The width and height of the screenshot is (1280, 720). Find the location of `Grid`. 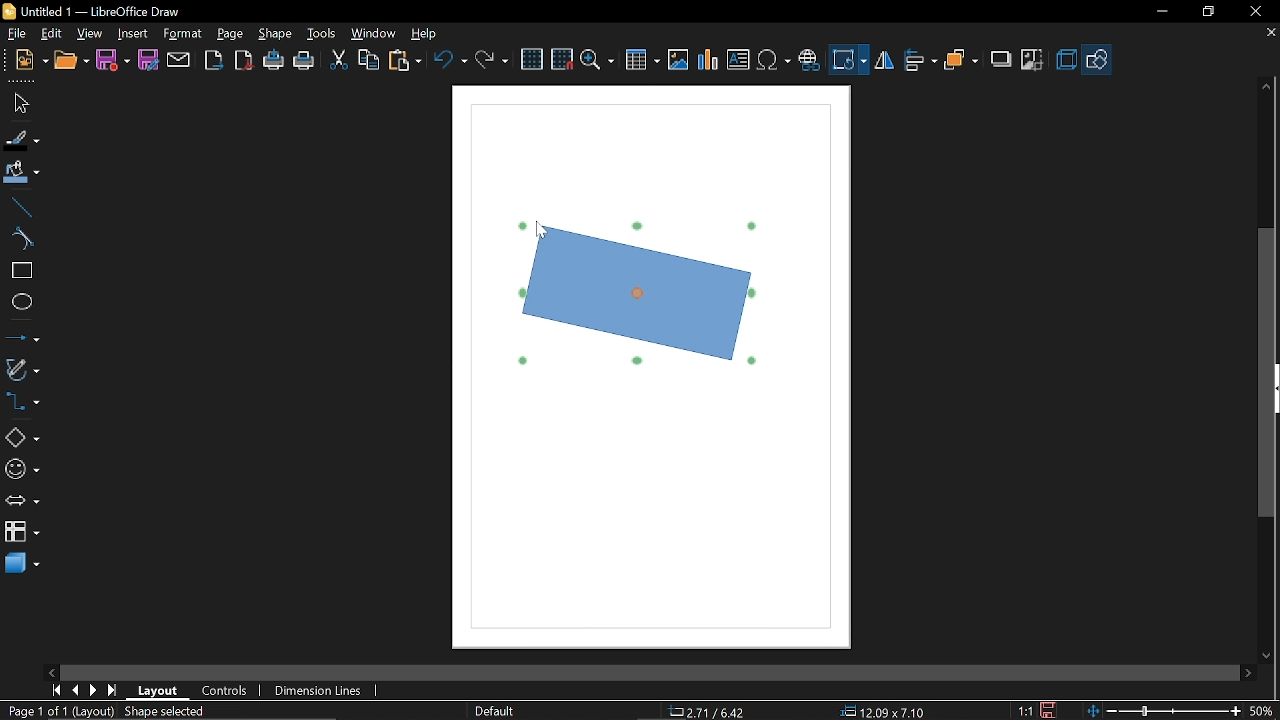

Grid is located at coordinates (533, 60).